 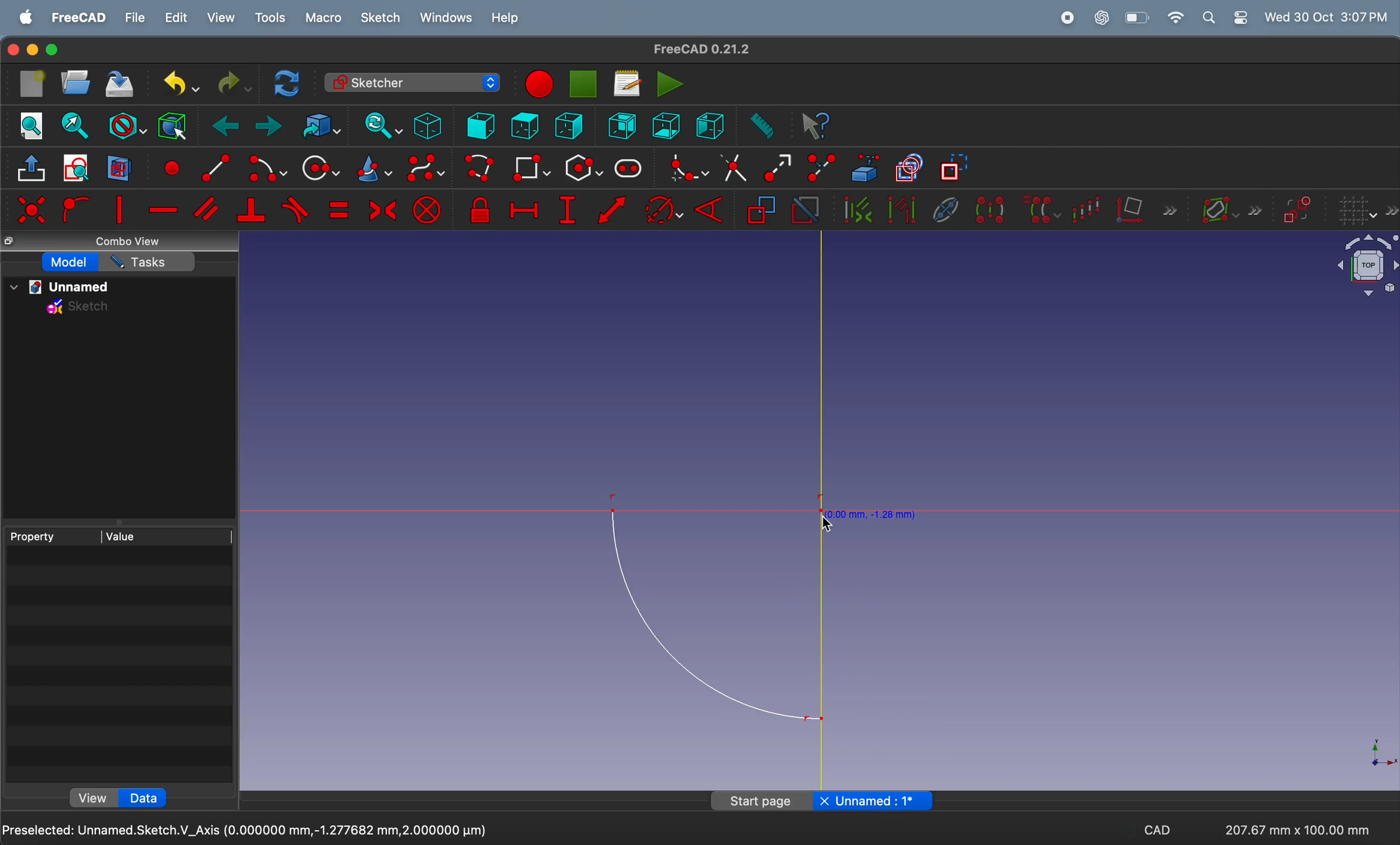 I want to click on battery, so click(x=1138, y=18).